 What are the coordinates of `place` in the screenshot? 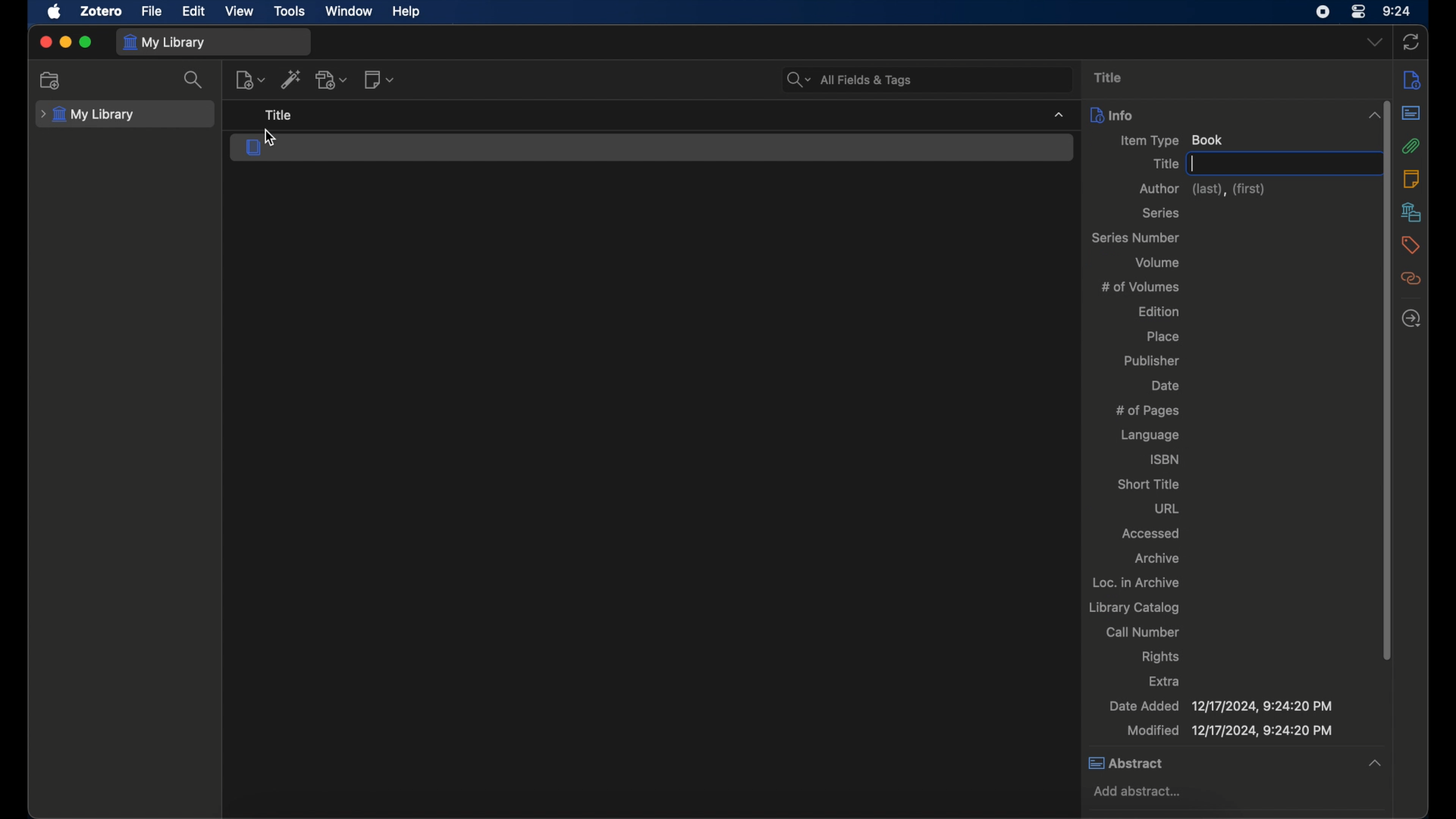 It's located at (1164, 336).